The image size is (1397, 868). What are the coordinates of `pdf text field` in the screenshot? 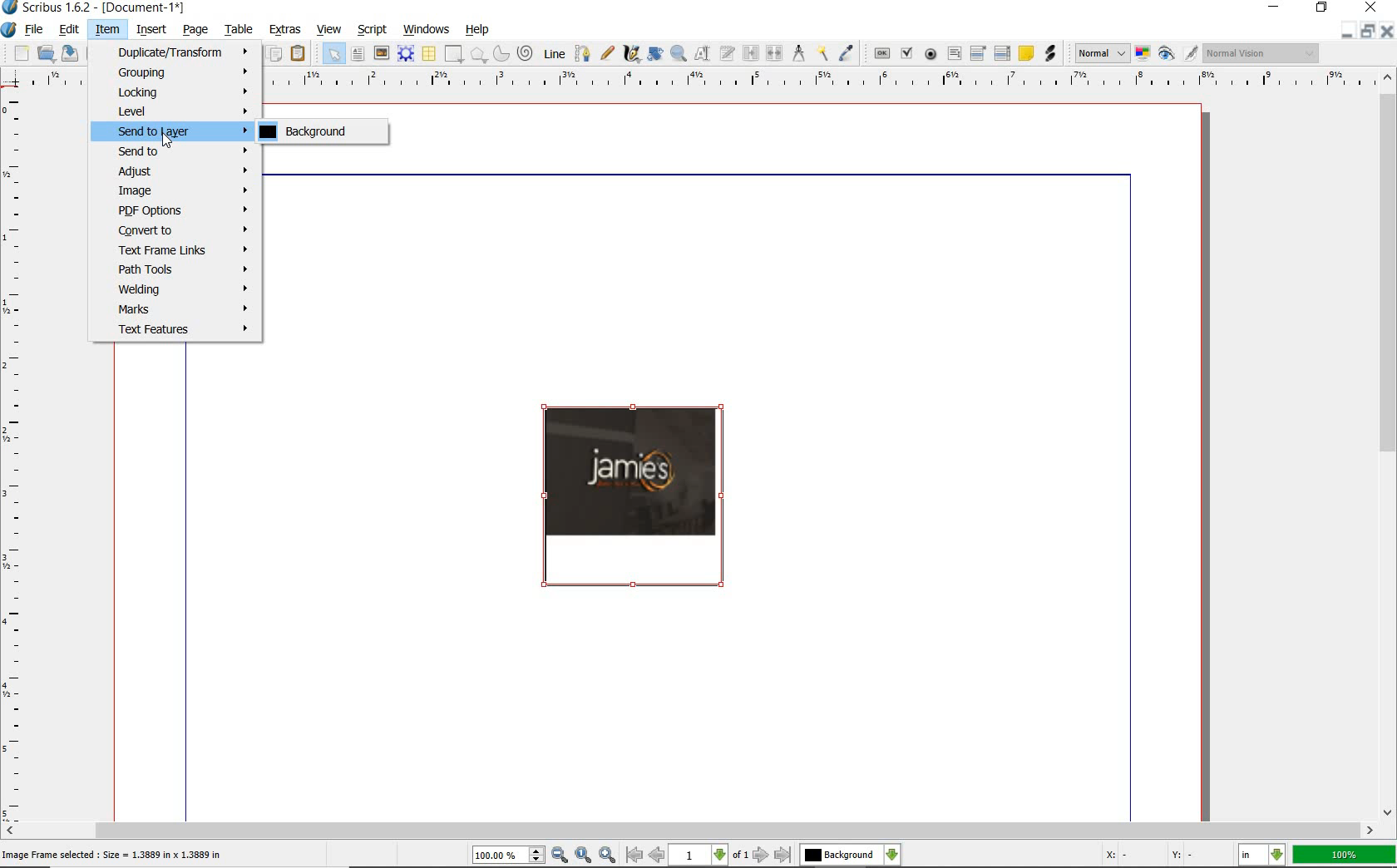 It's located at (953, 53).